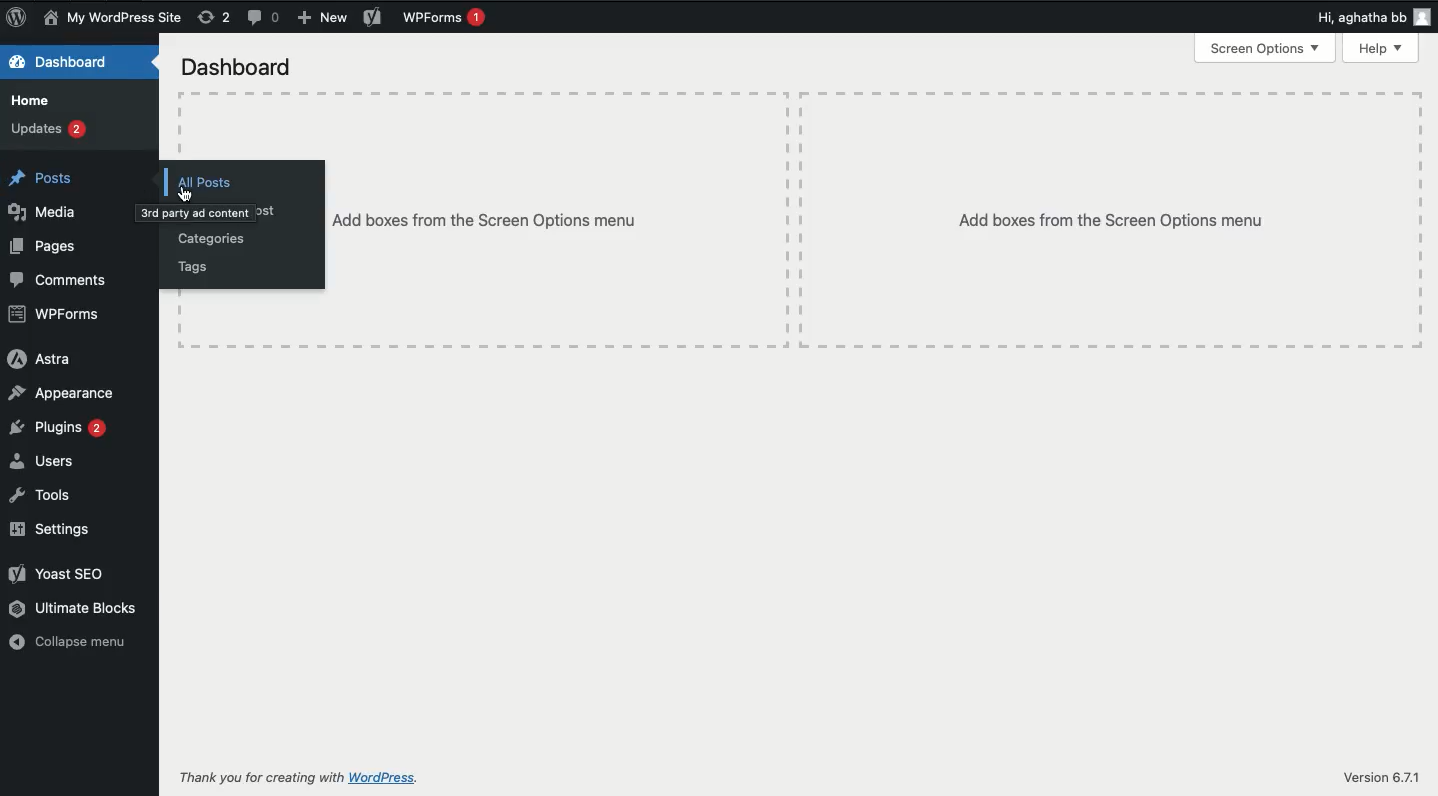  Describe the element at coordinates (51, 128) in the screenshot. I see `Updates` at that location.